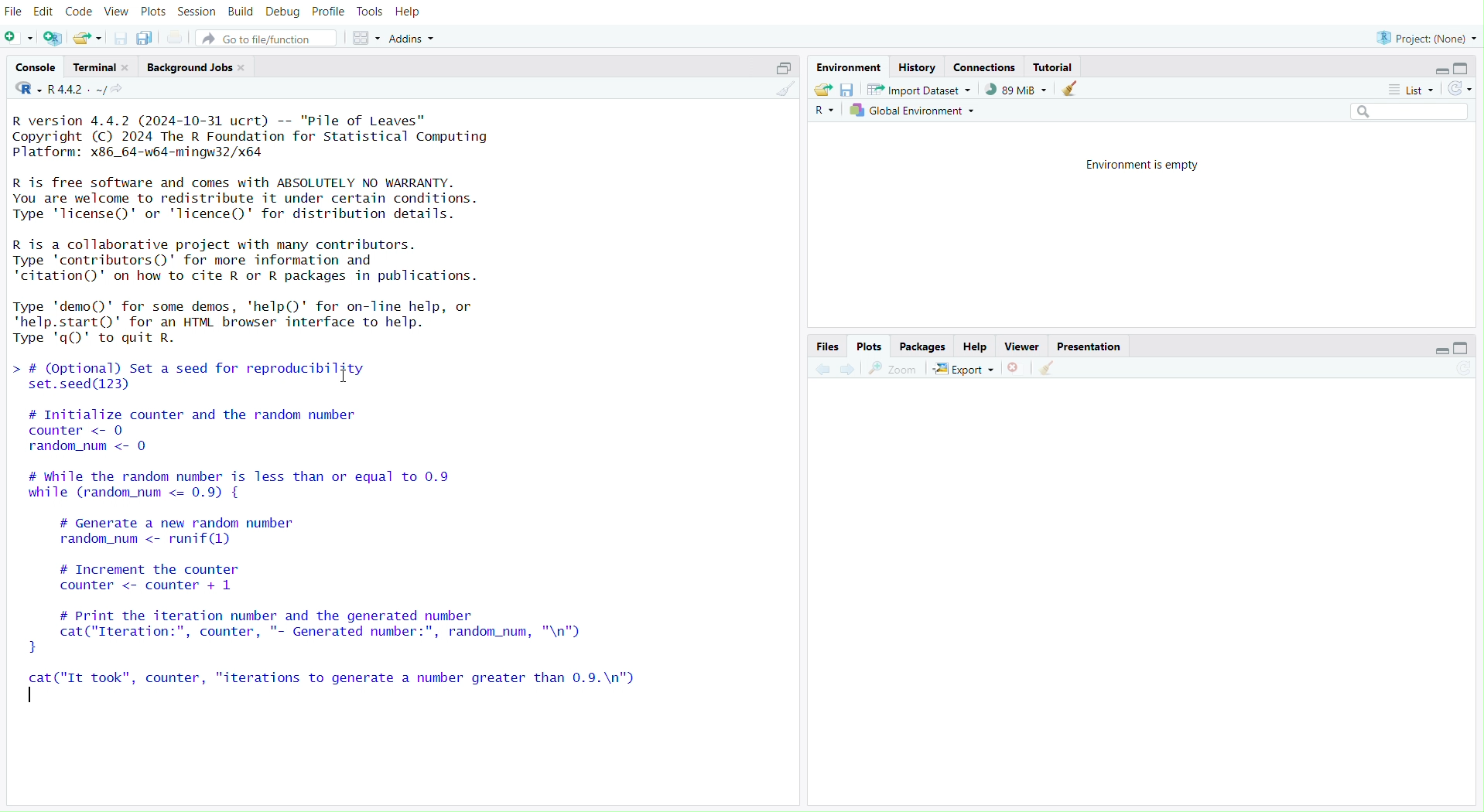  I want to click on Print the current file, so click(173, 37).